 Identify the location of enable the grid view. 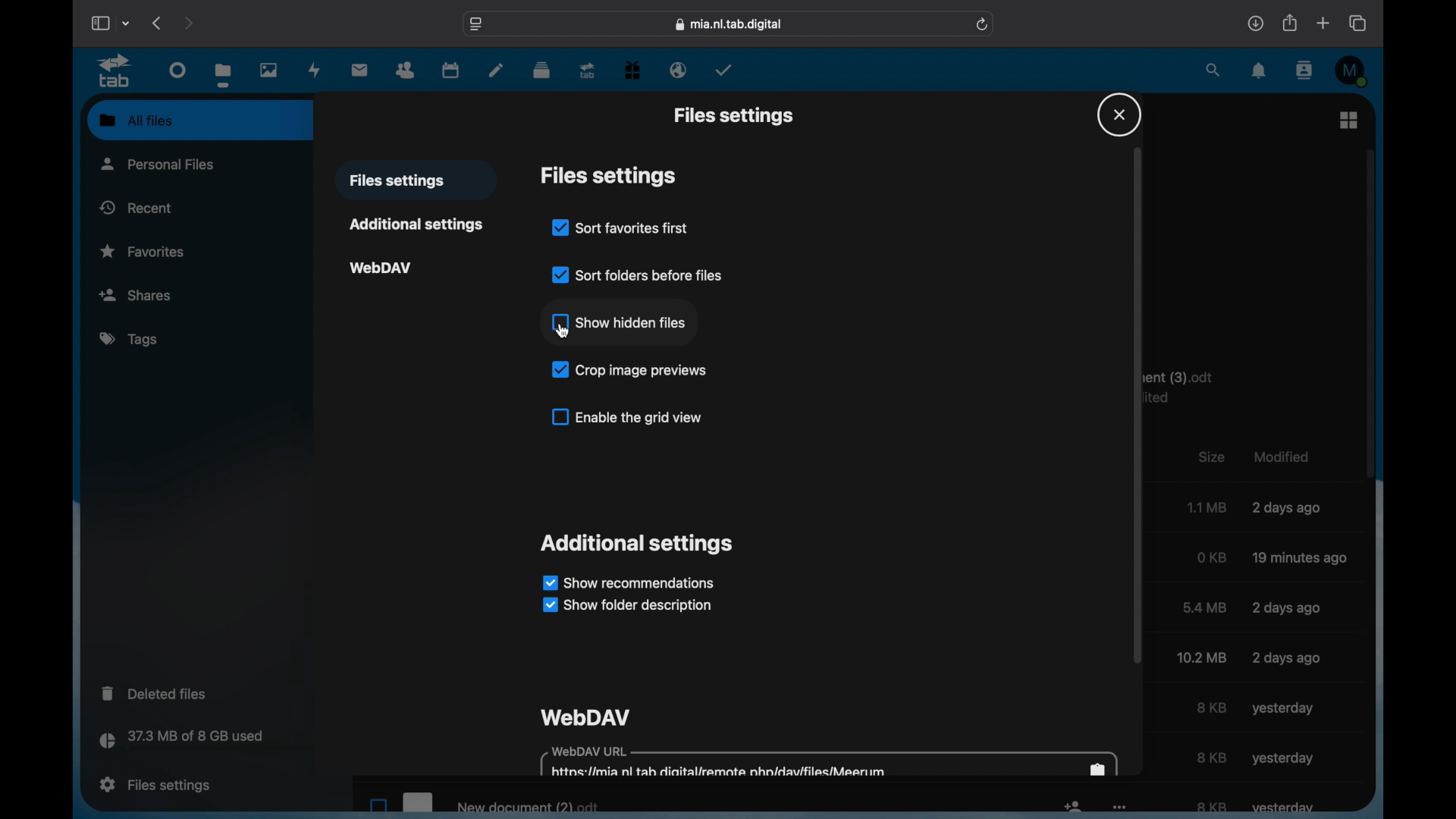
(627, 417).